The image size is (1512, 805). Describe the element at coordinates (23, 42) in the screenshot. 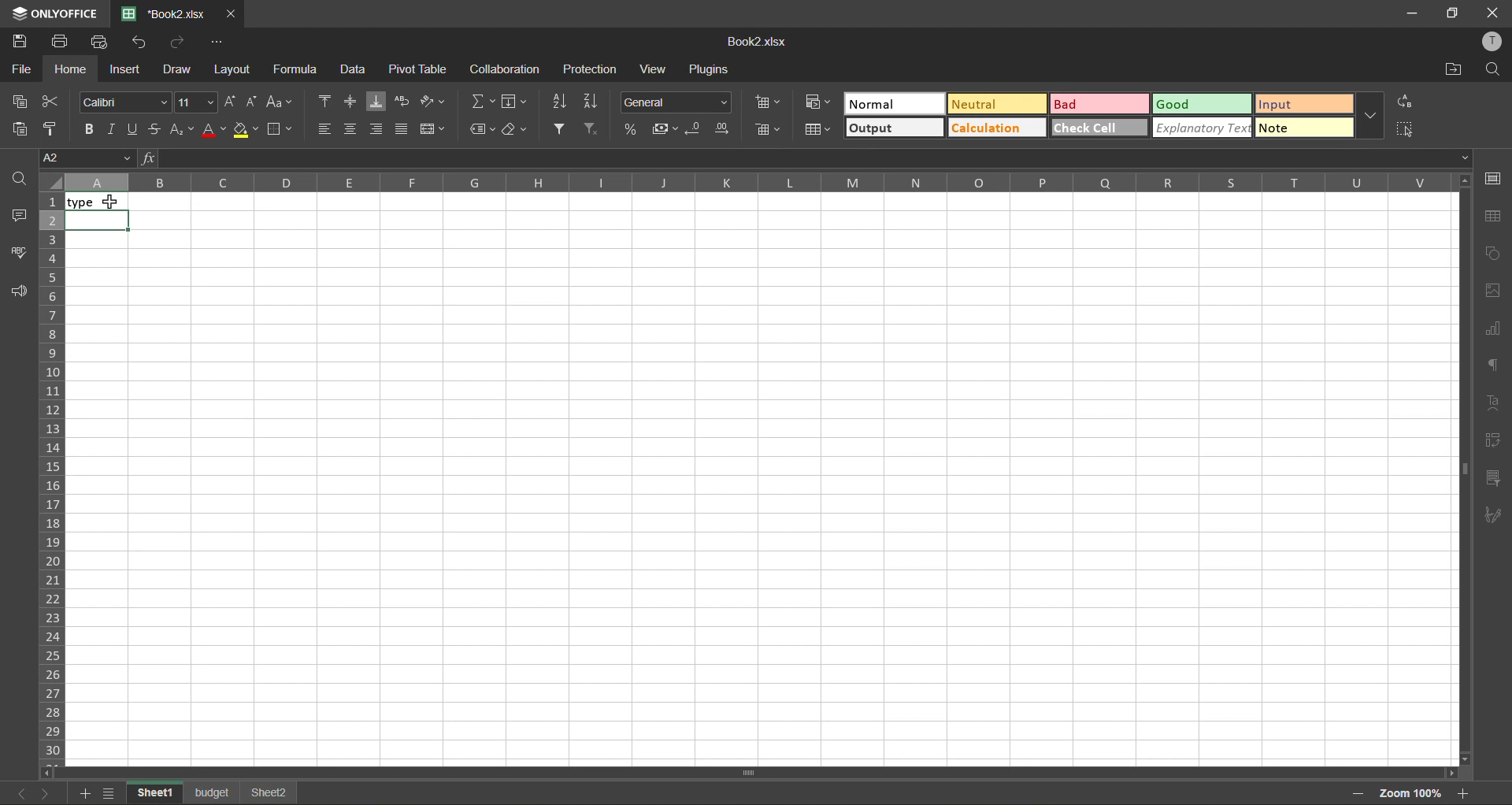

I see `save` at that location.